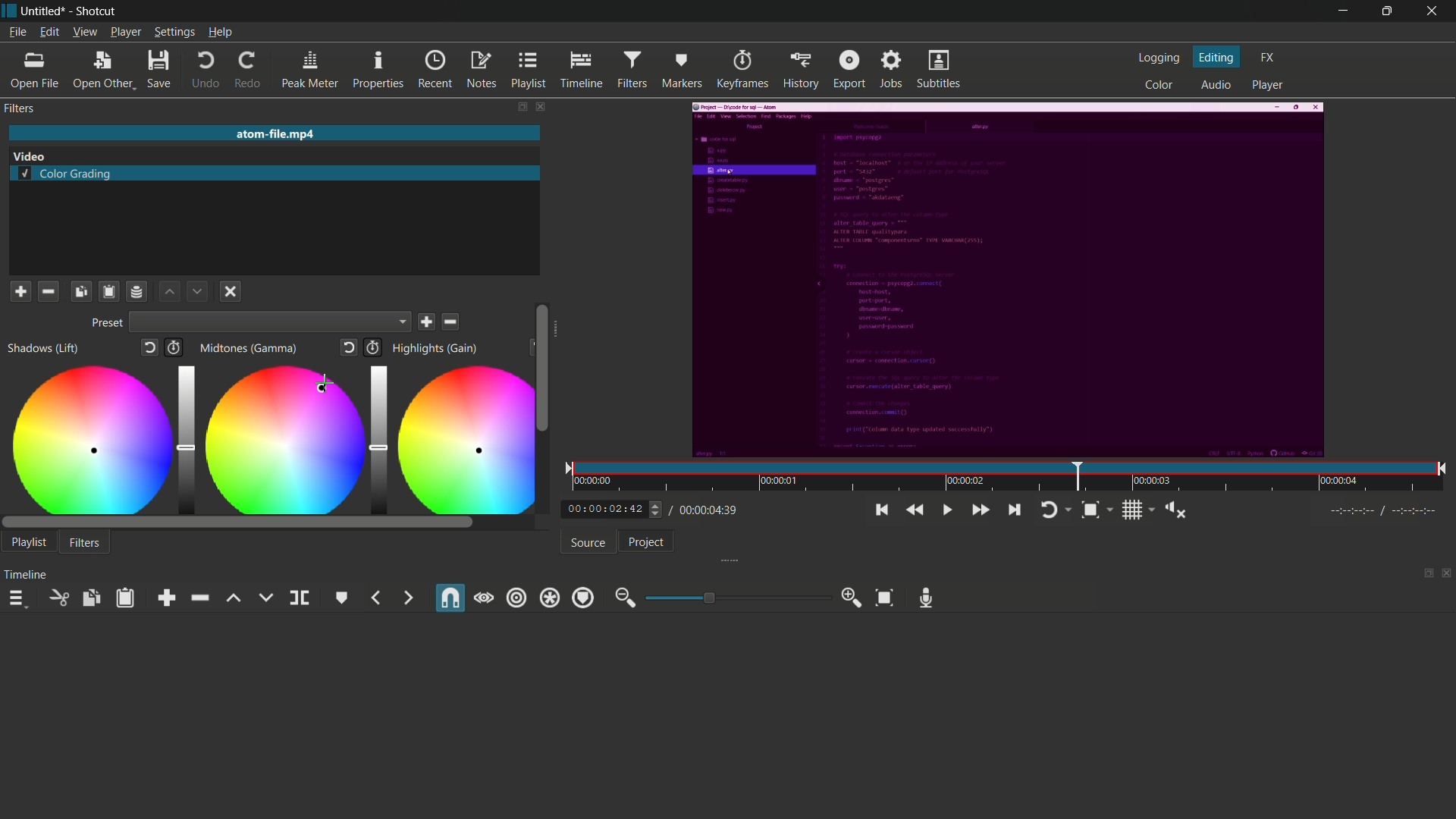 This screenshot has width=1456, height=819. Describe the element at coordinates (428, 322) in the screenshot. I see `save` at that location.